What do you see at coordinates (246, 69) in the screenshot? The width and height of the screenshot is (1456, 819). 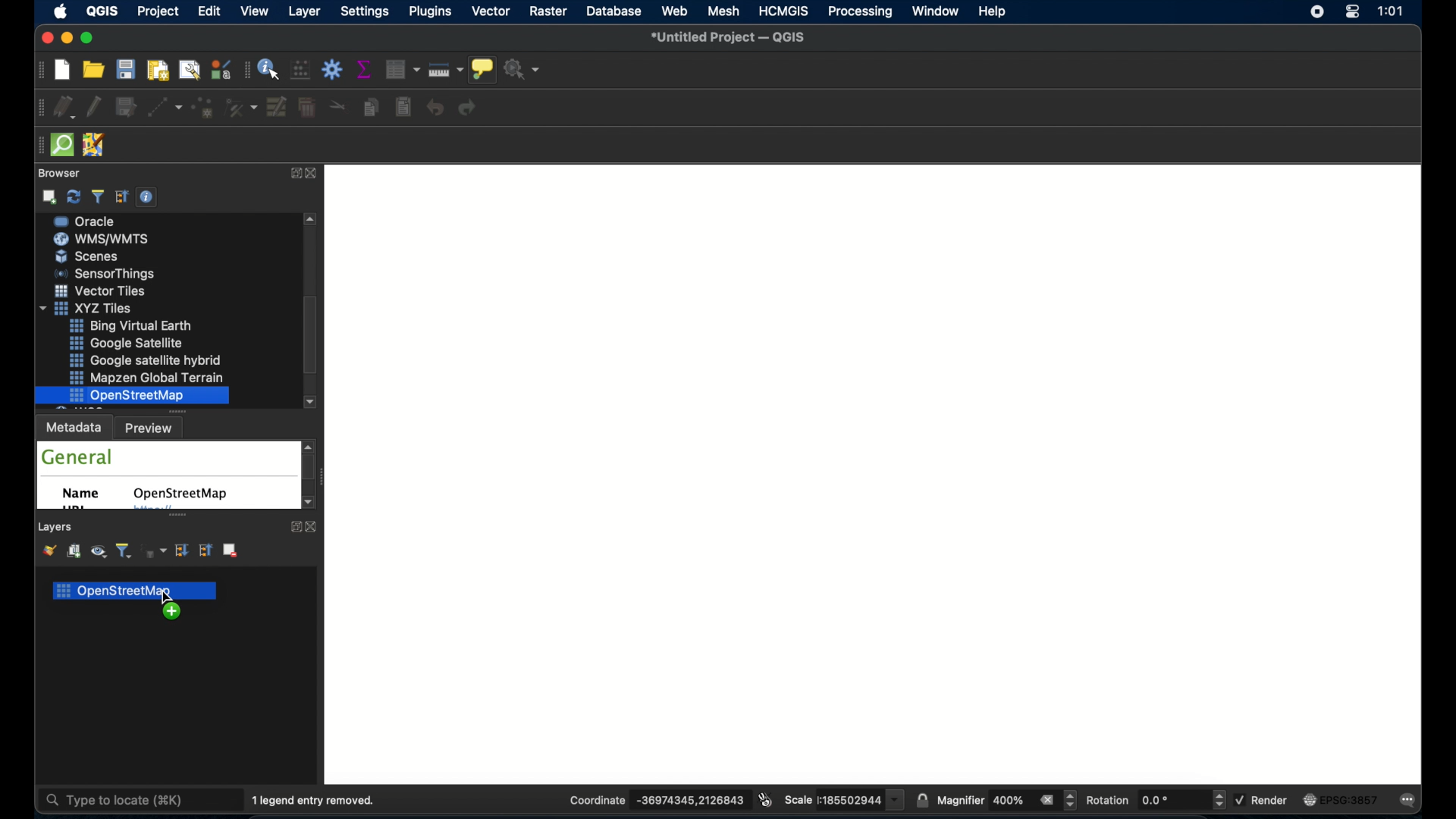 I see `attributes toolbar` at bounding box center [246, 69].